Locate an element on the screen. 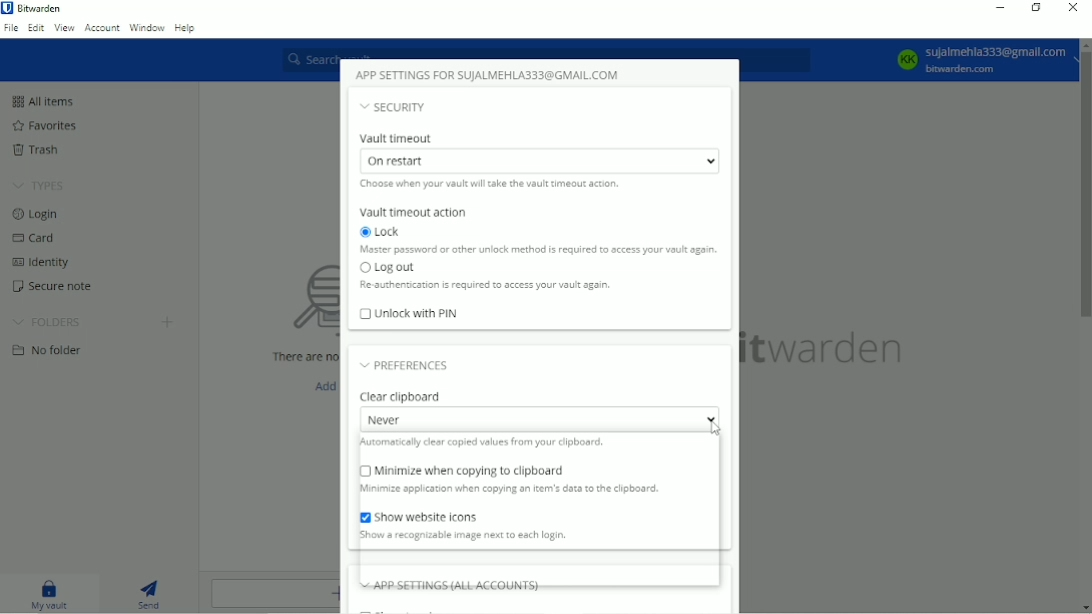  All items is located at coordinates (52, 98).